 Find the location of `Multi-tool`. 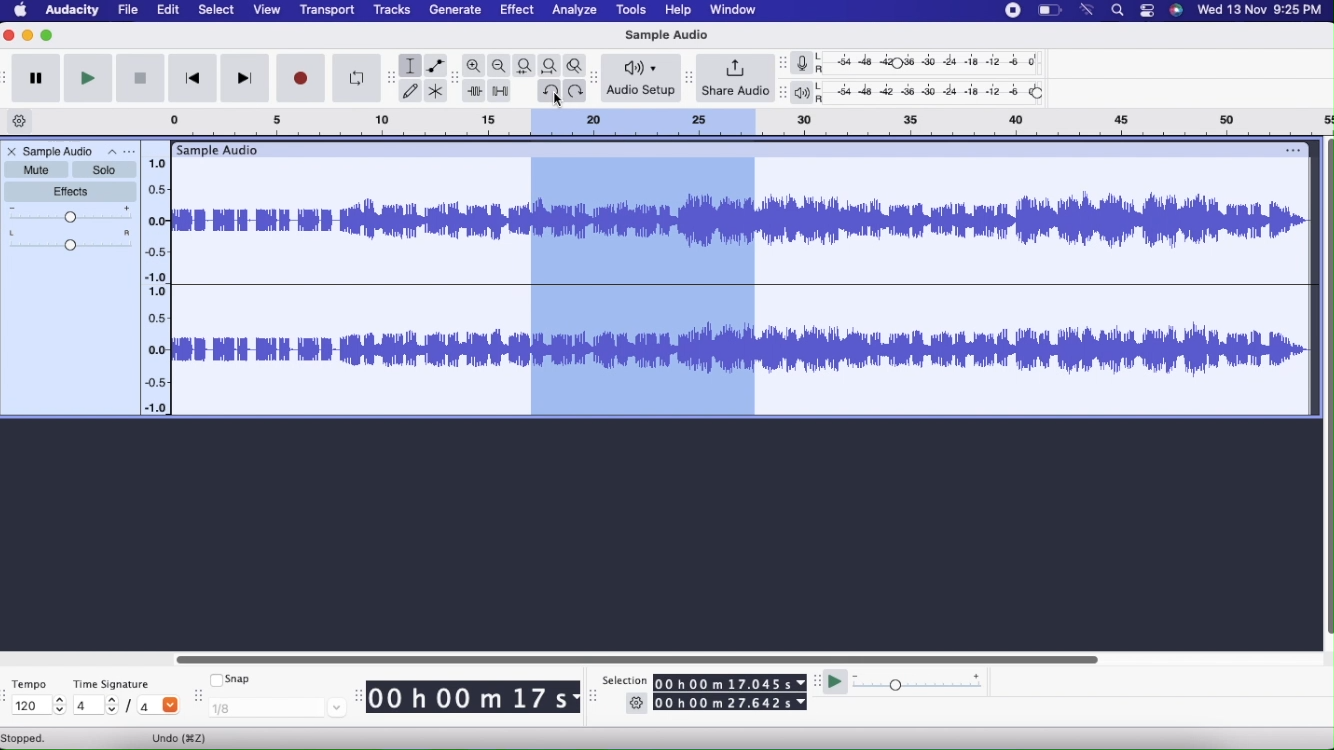

Multi-tool is located at coordinates (437, 91).